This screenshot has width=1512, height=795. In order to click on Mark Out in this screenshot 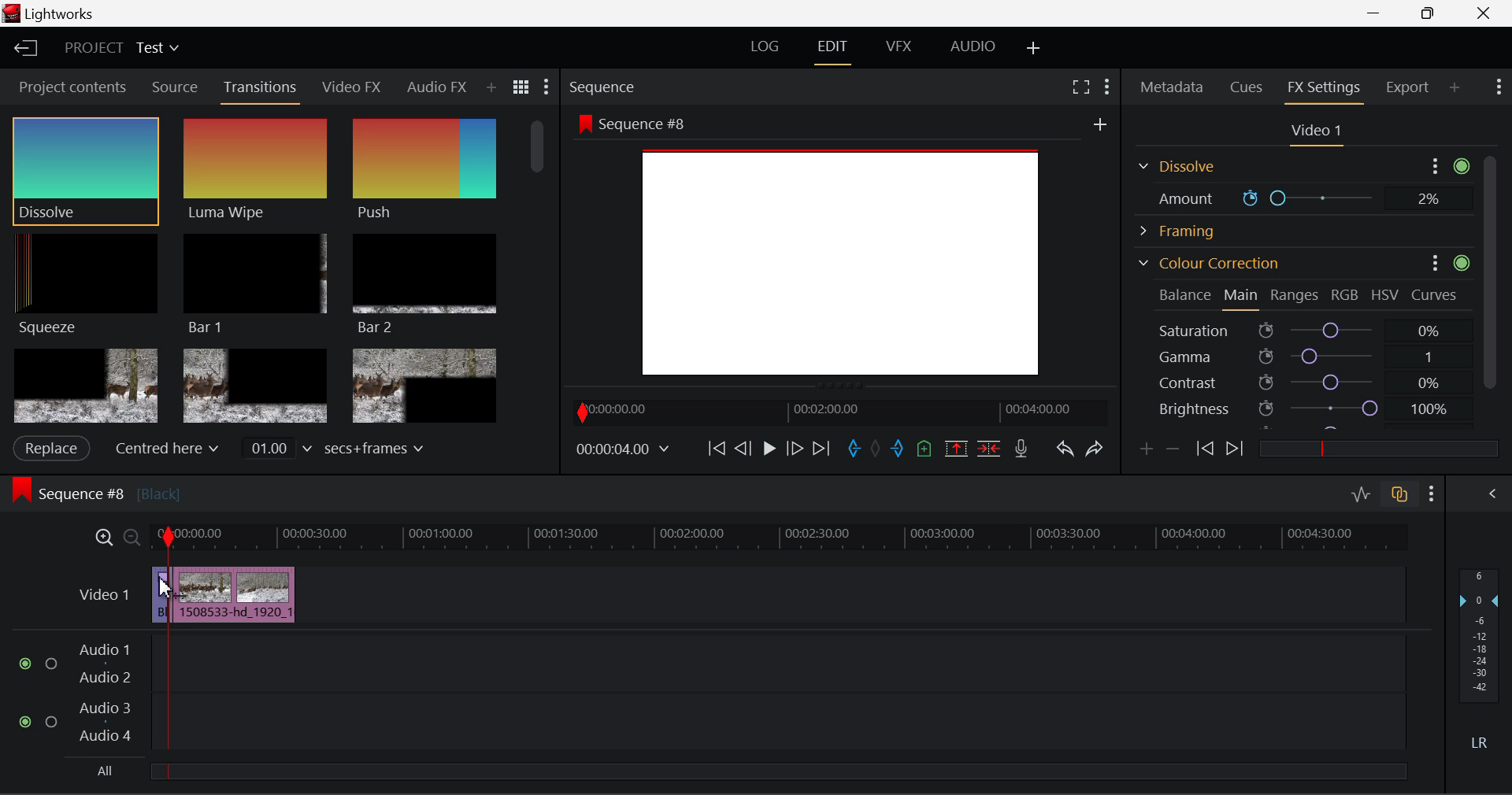, I will do `click(899, 449)`.